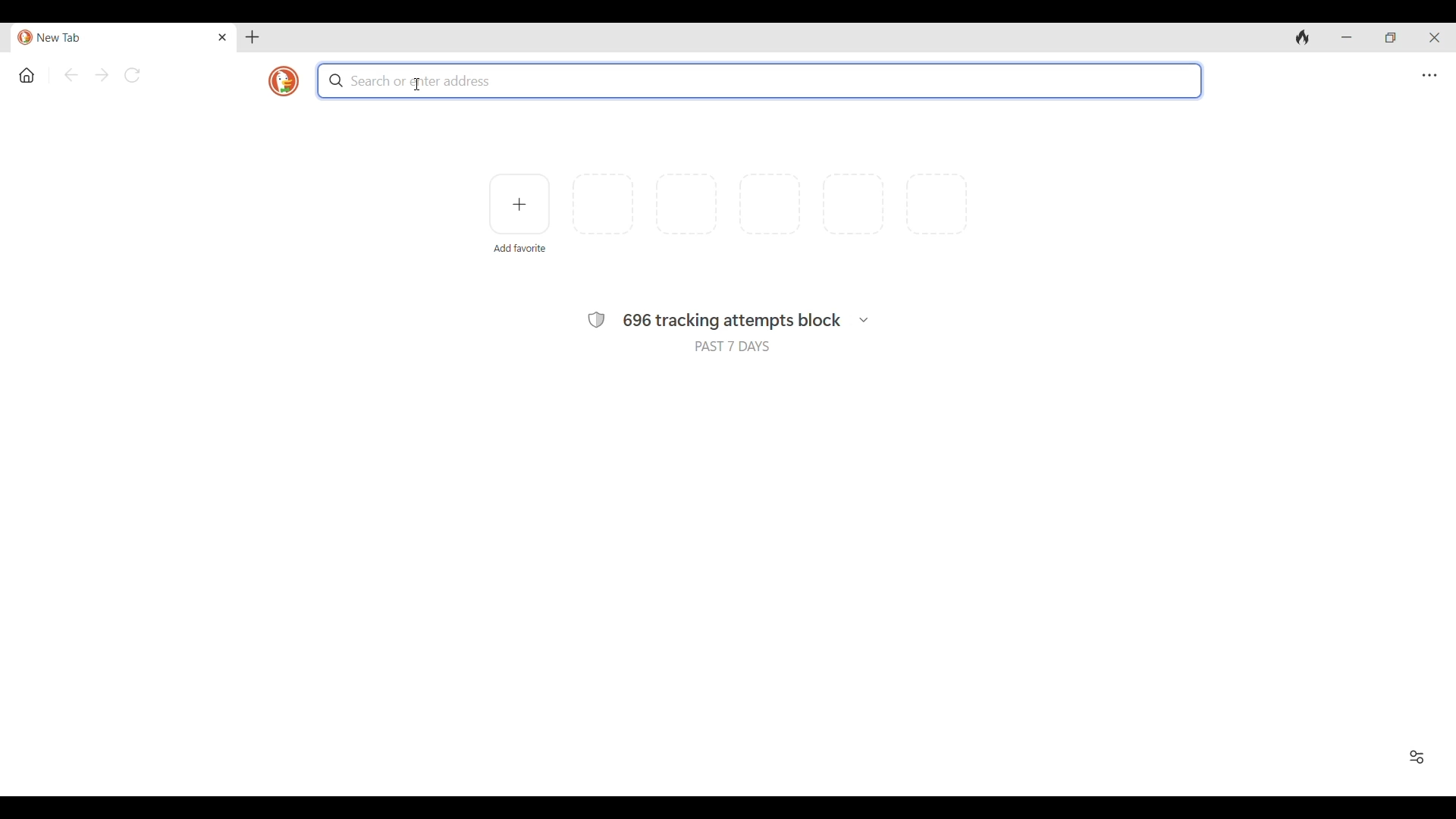  I want to click on Search history breakdown w.r.t. the number of trackers in each search, so click(863, 320).